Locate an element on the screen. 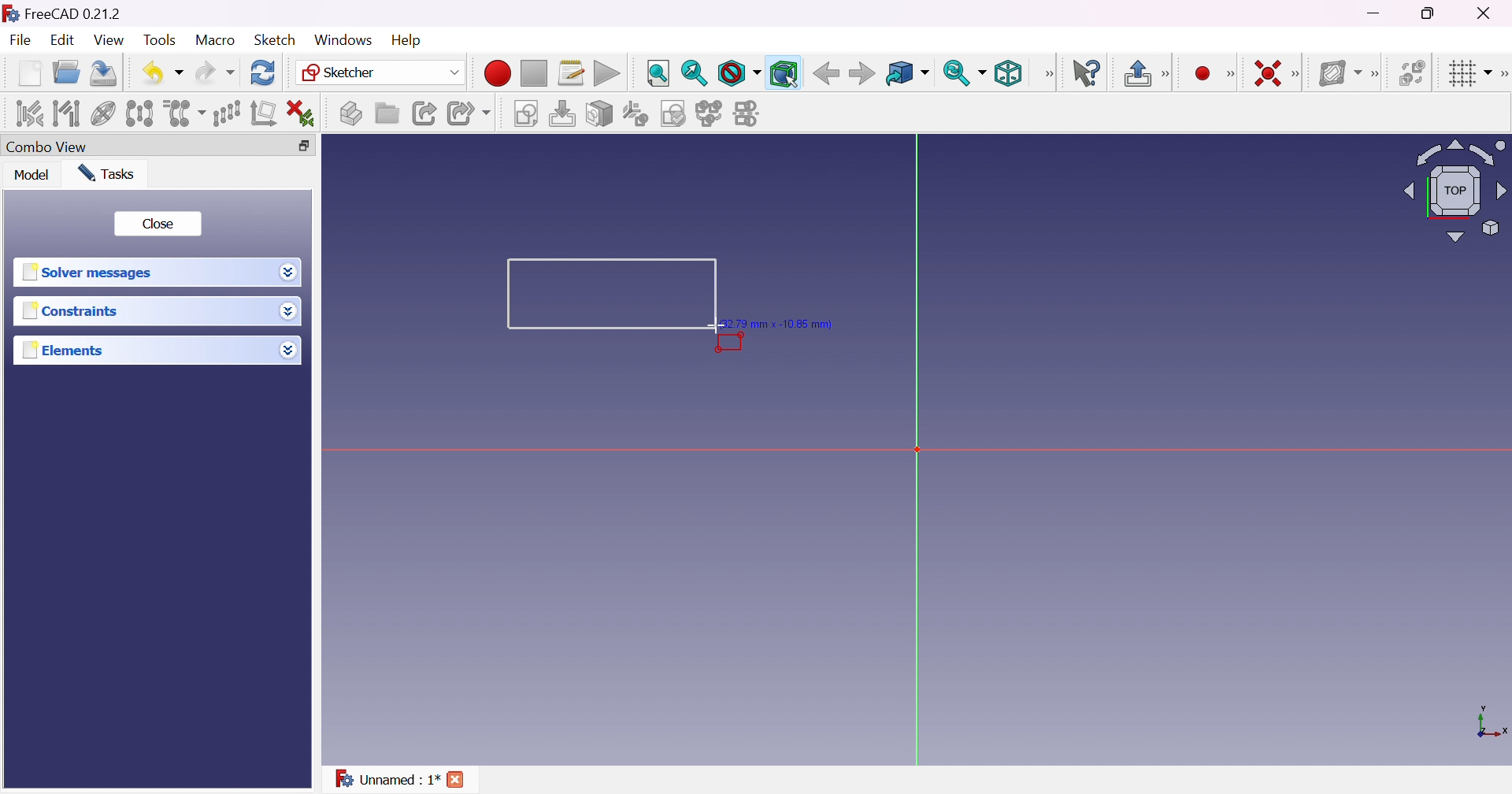 This screenshot has width=1512, height=794. Restore down is located at coordinates (1431, 13).